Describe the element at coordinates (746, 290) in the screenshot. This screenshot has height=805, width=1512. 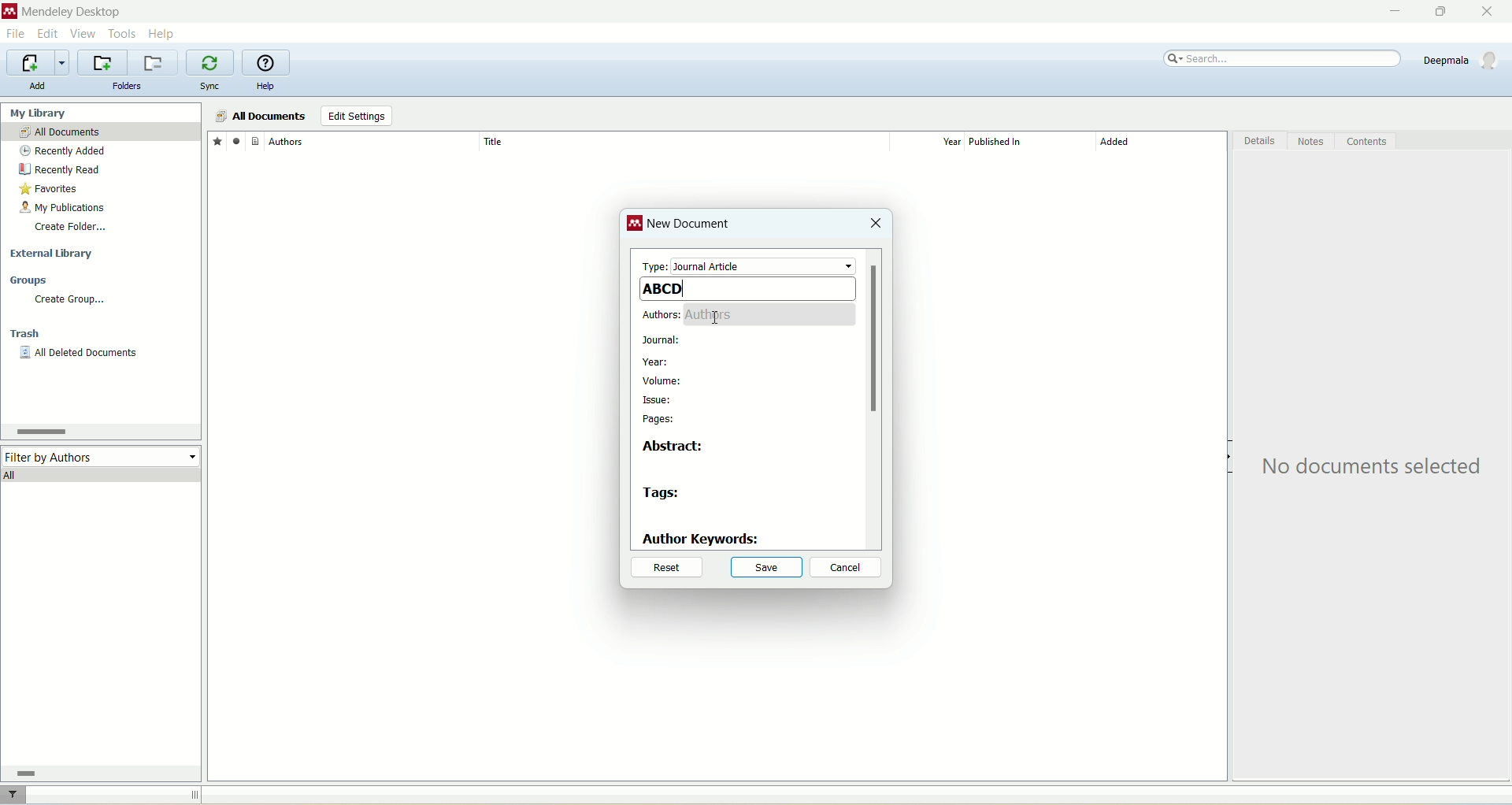
I see `ABCD` at that location.